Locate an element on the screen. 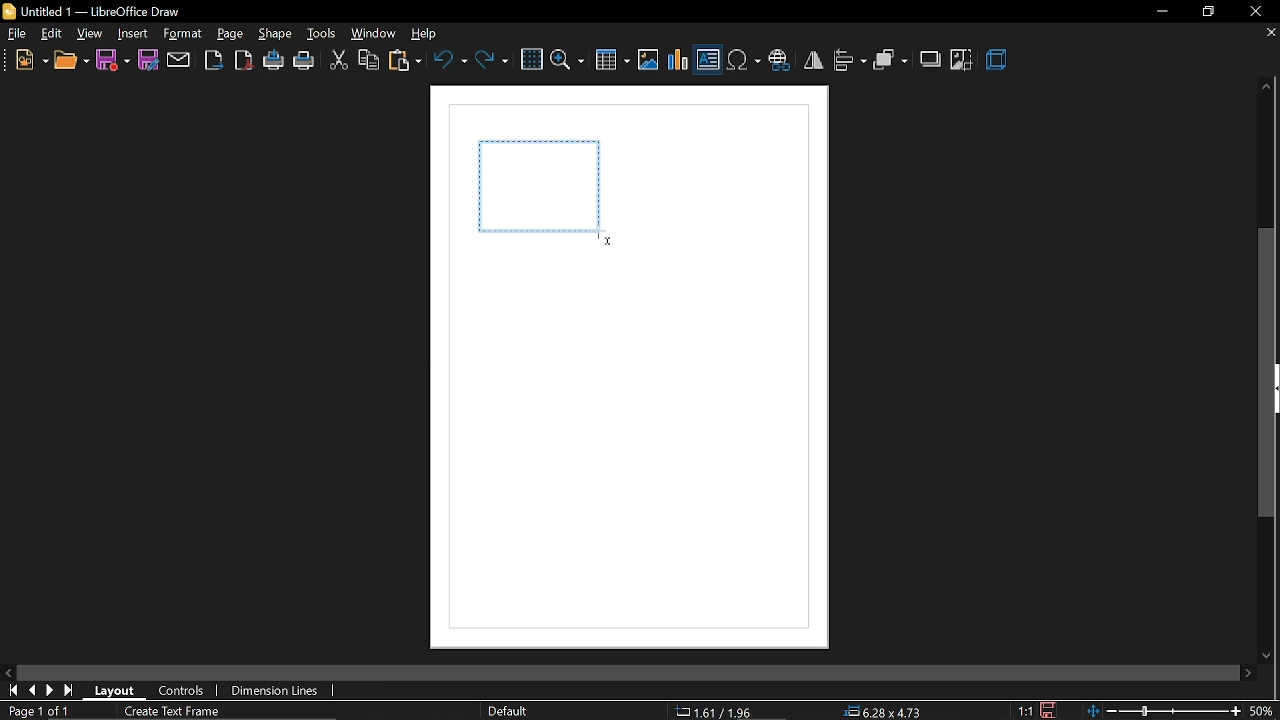 The width and height of the screenshot is (1280, 720). current window is located at coordinates (96, 11).